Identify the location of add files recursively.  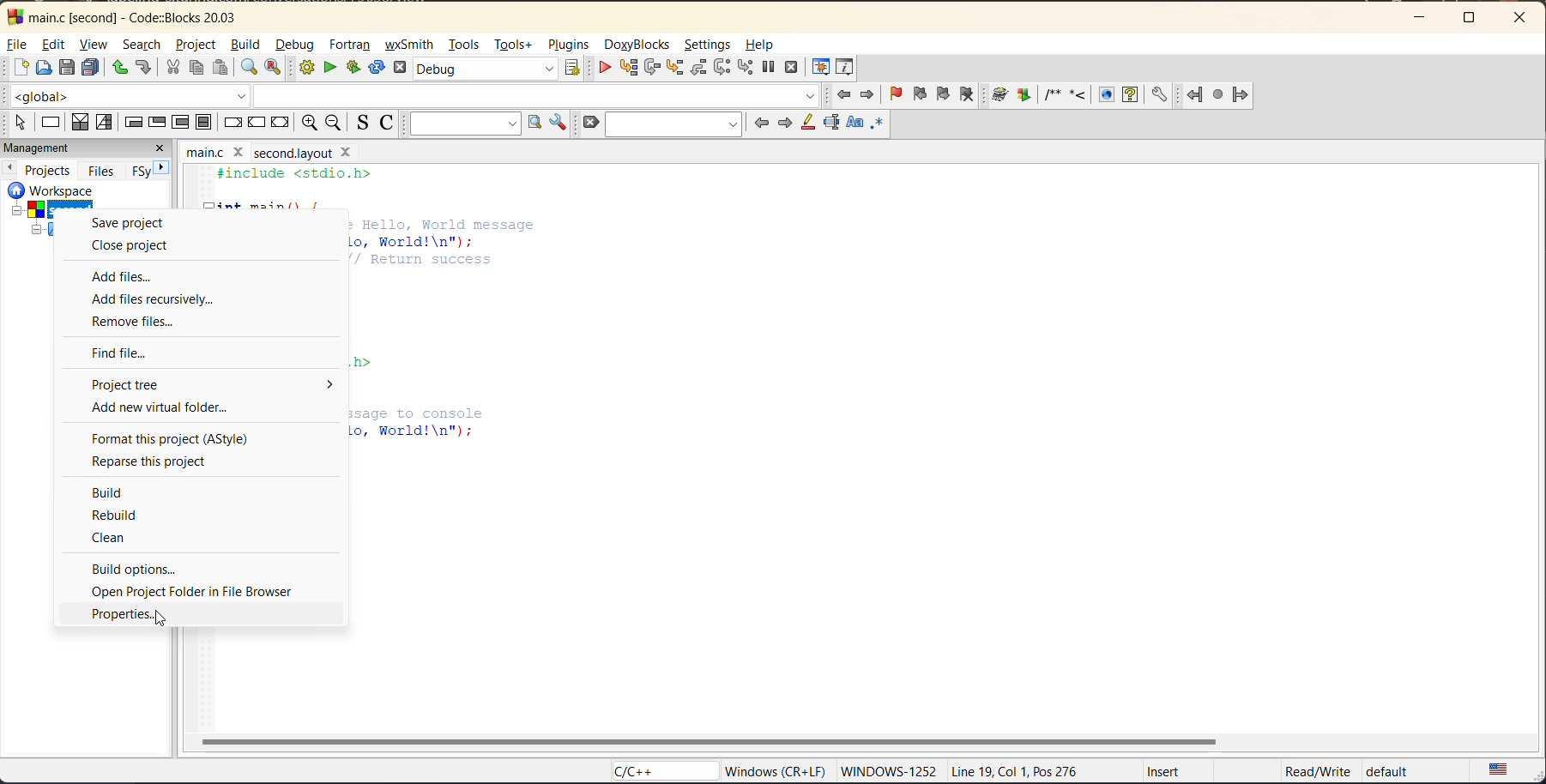
(157, 299).